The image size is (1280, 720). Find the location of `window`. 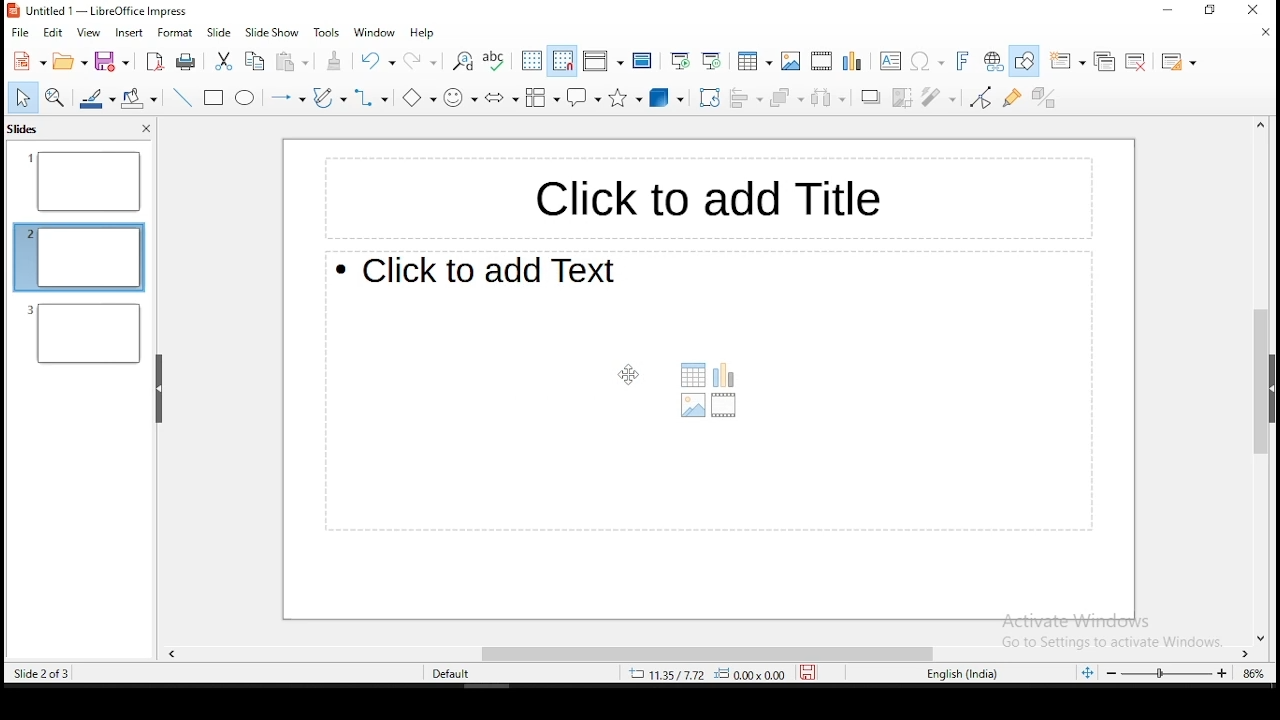

window is located at coordinates (375, 32).